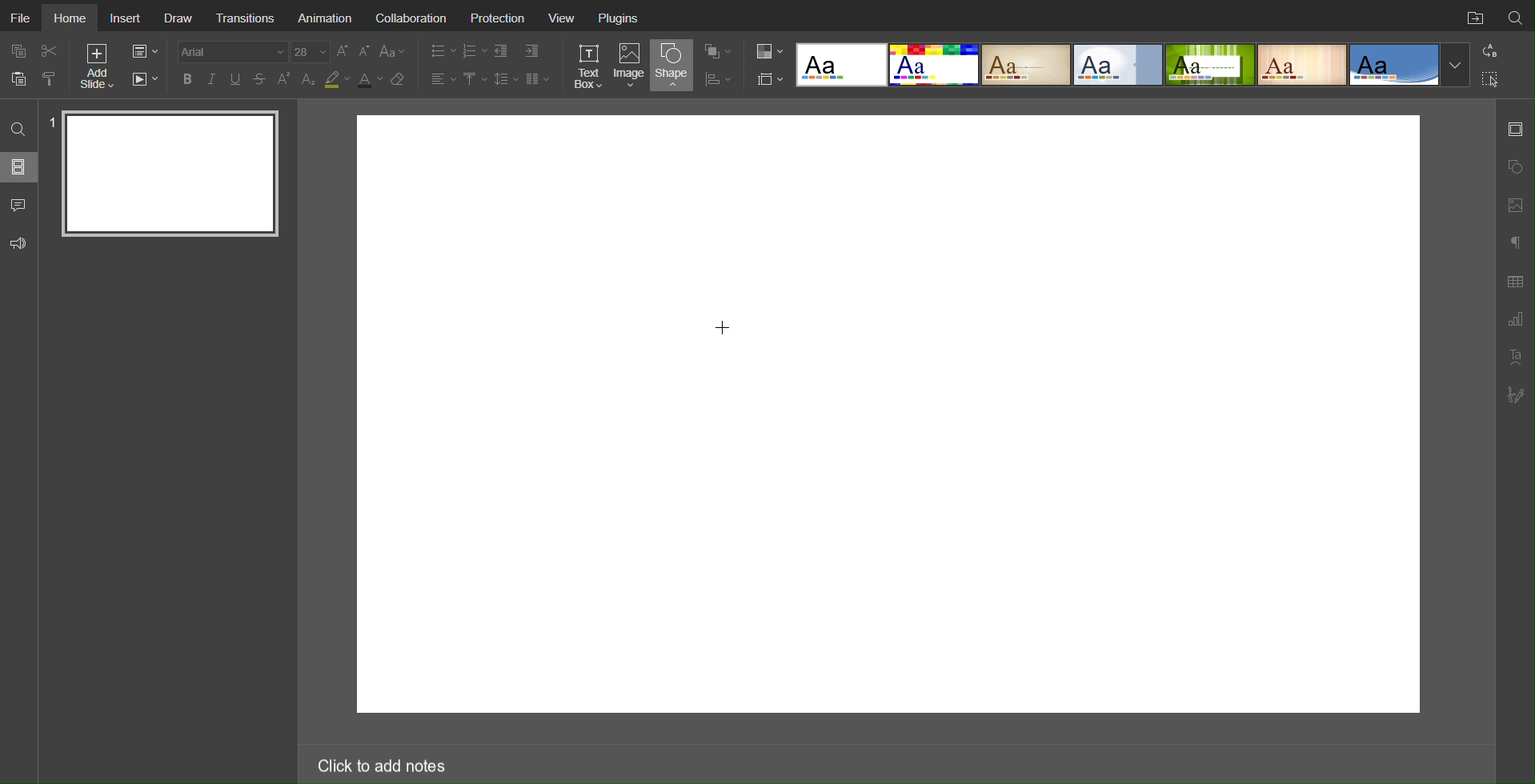 This screenshot has width=1535, height=784. Describe the element at coordinates (123, 16) in the screenshot. I see `Insert` at that location.